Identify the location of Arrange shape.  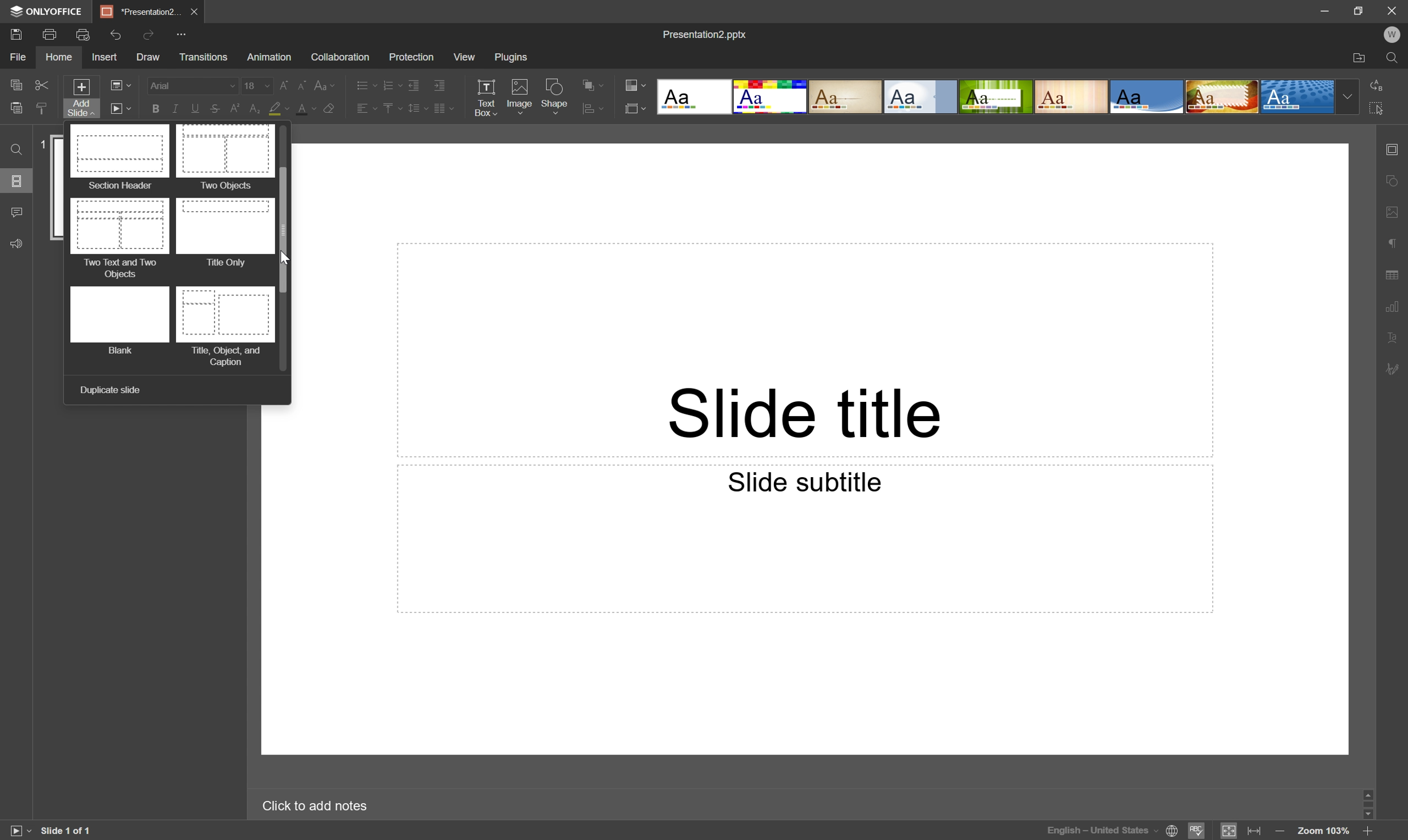
(596, 108).